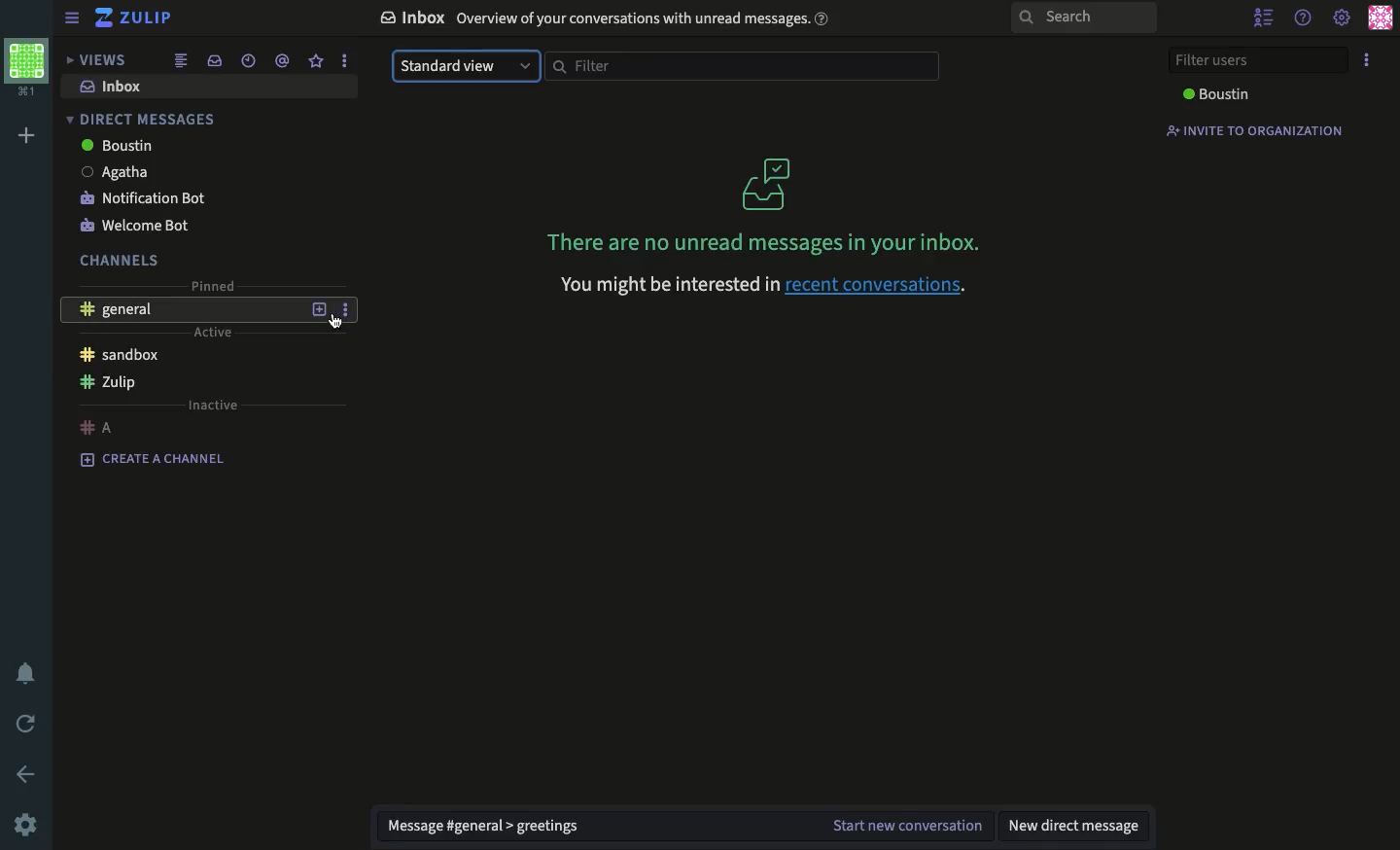 This screenshot has height=850, width=1400. I want to click on channels, so click(115, 261).